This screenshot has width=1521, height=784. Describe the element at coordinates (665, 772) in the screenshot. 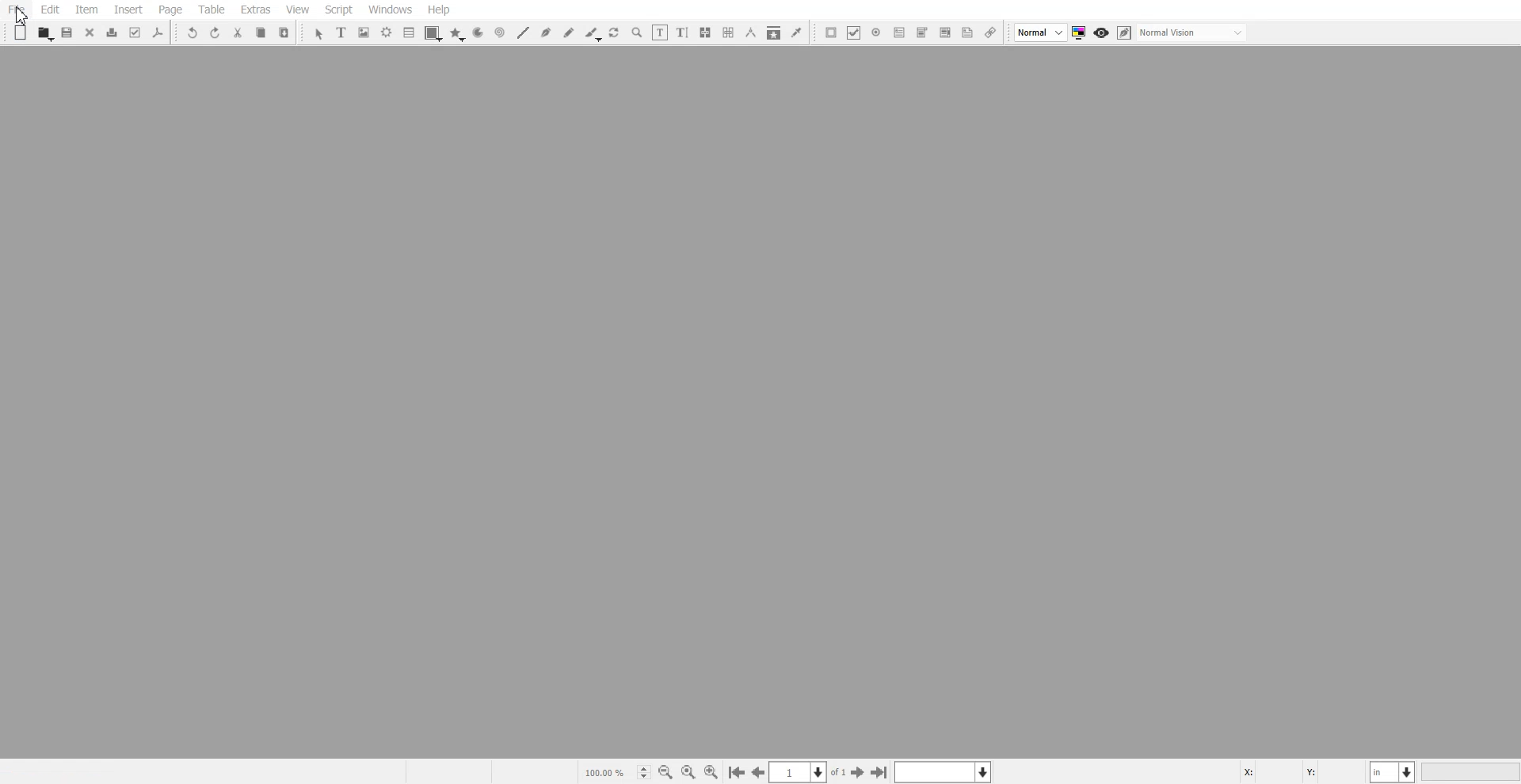

I see `Zoom Out` at that location.